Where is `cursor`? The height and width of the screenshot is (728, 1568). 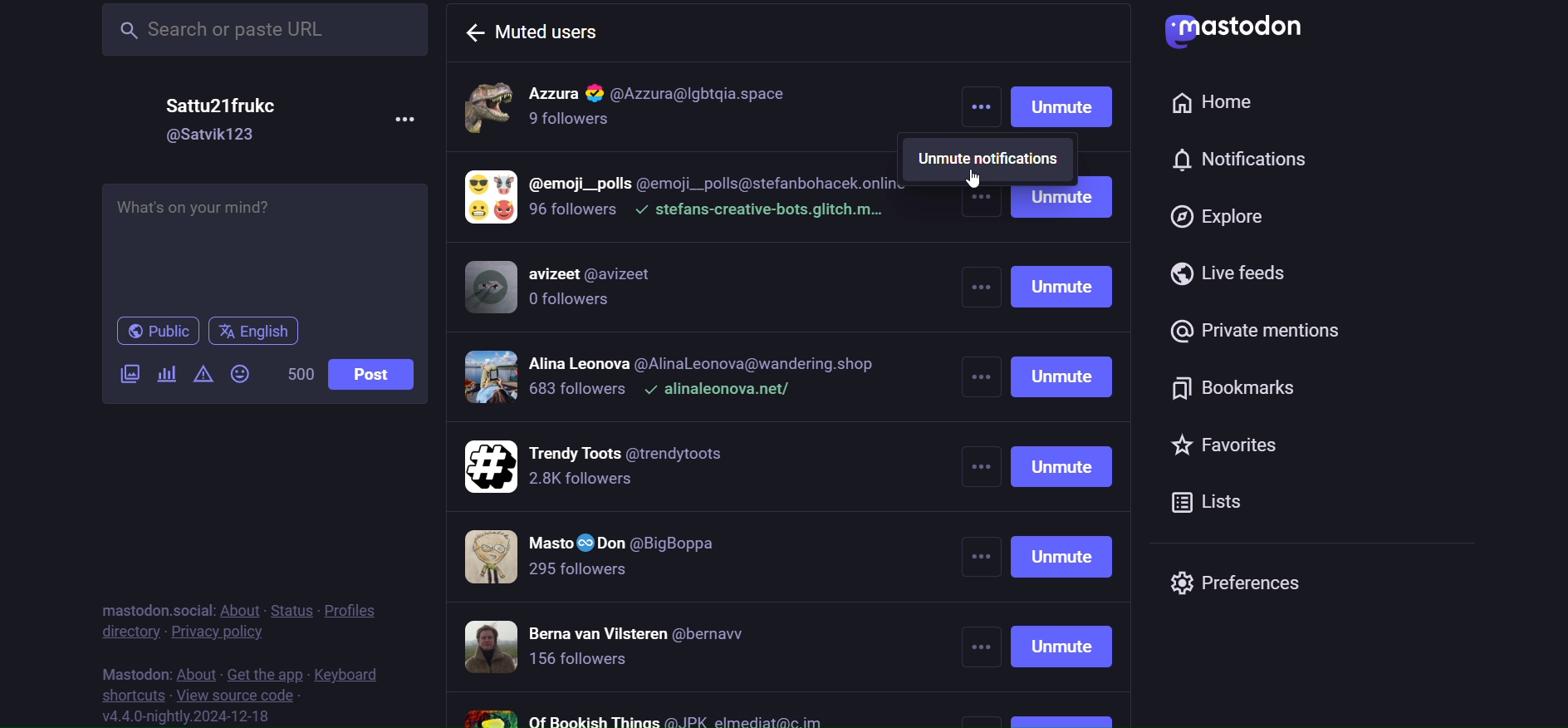 cursor is located at coordinates (979, 180).